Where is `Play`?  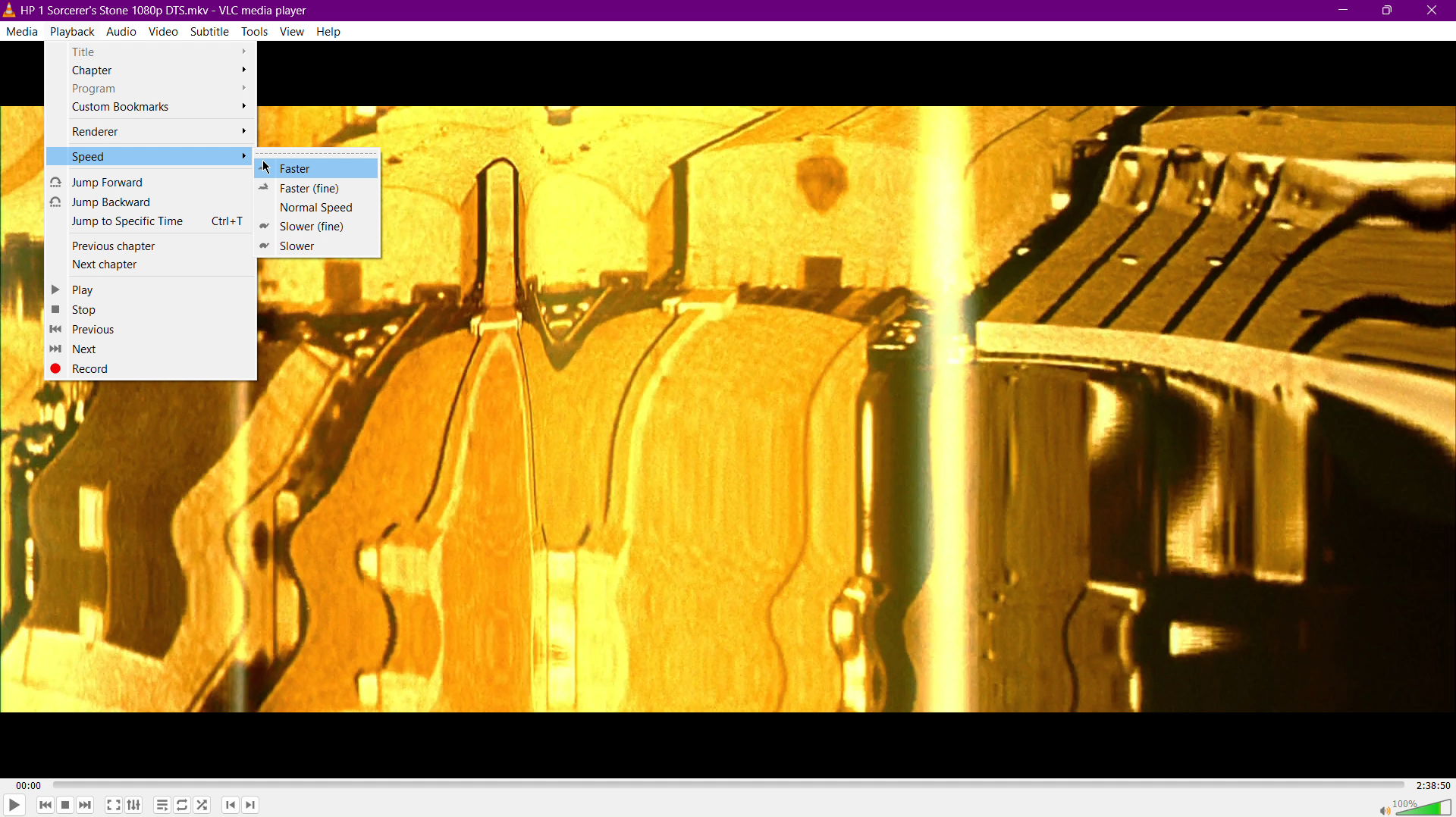
Play is located at coordinates (79, 289).